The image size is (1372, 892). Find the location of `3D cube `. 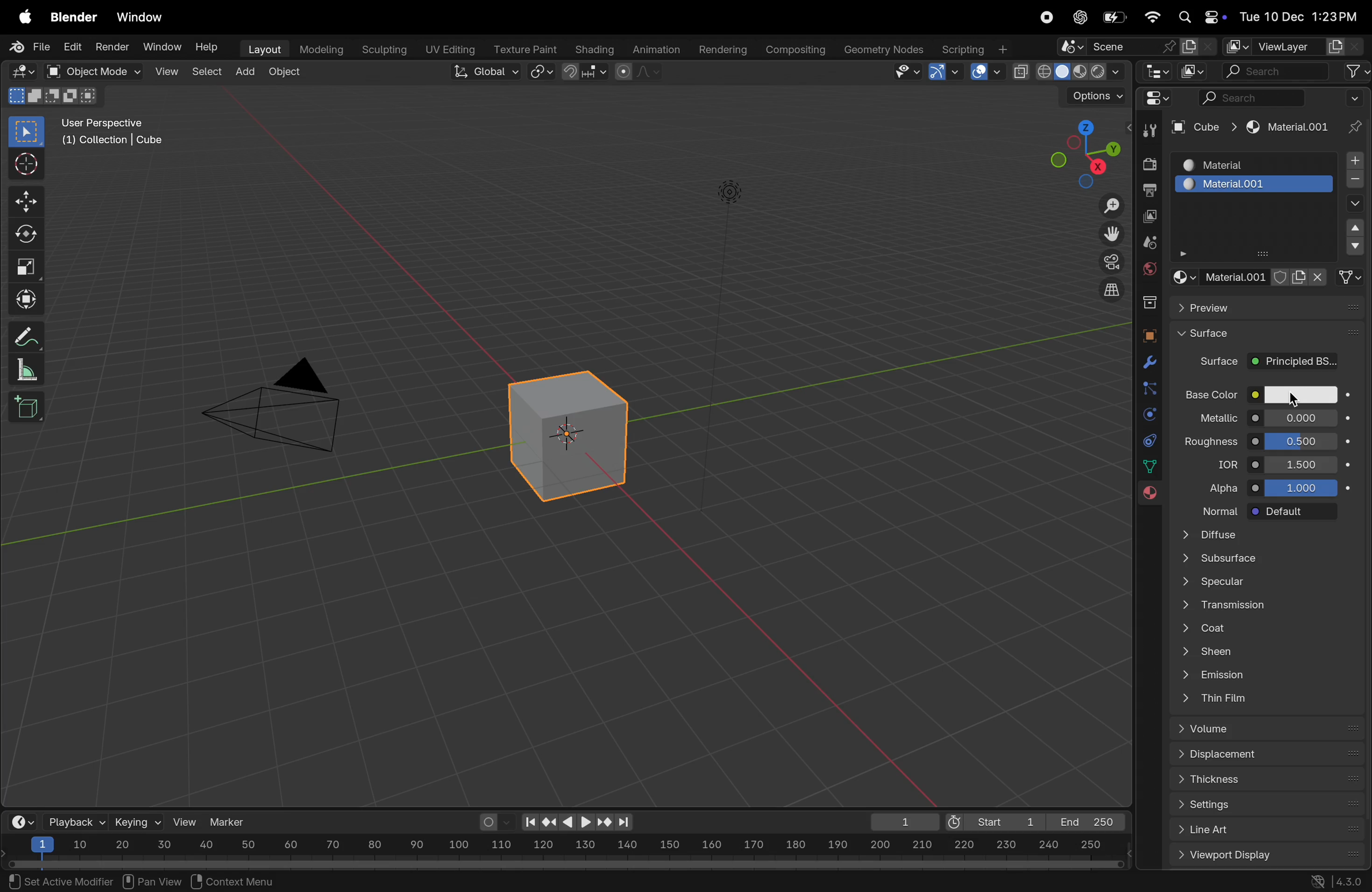

3D cube  is located at coordinates (564, 436).